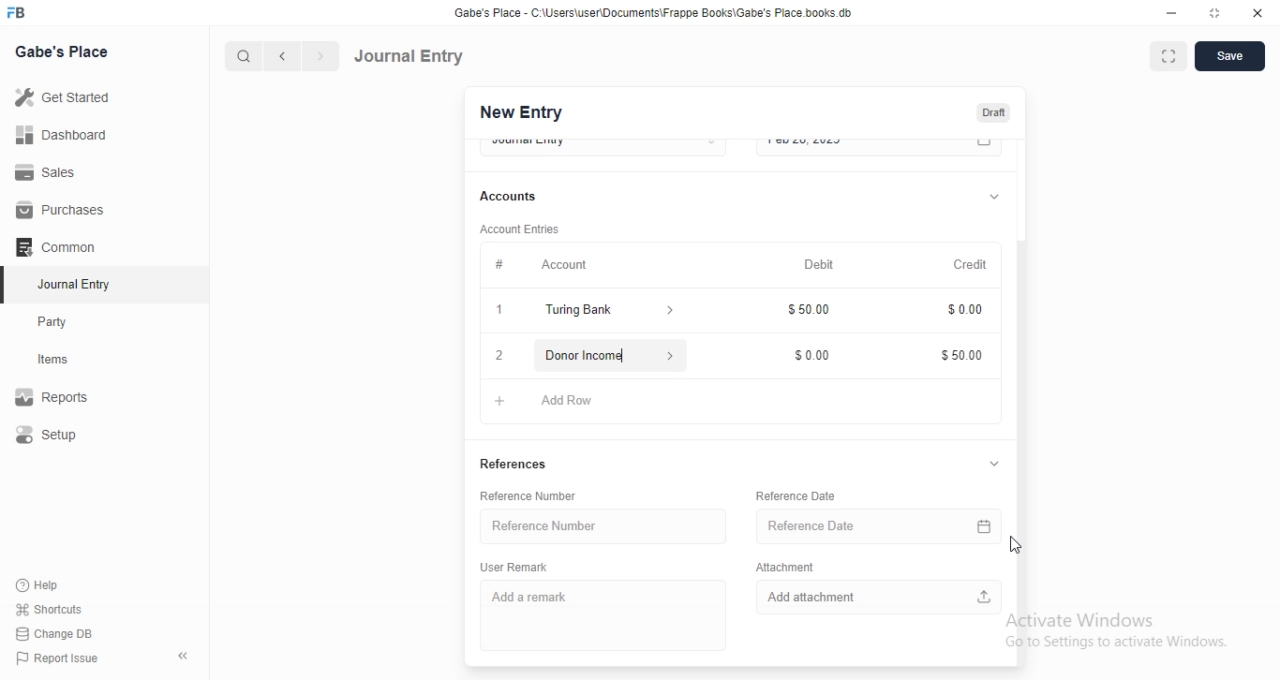  I want to click on turing bank, so click(605, 312).